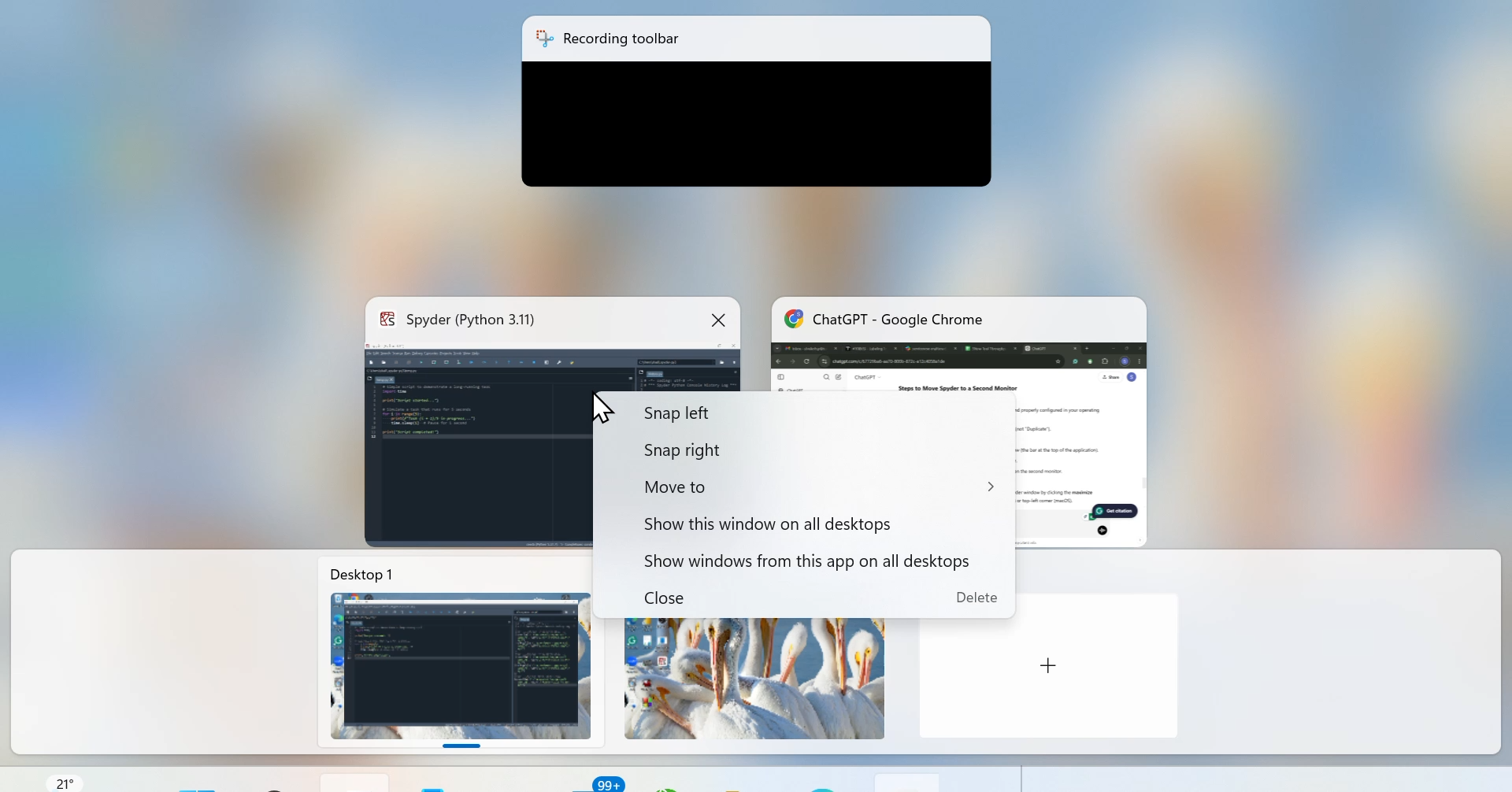 This screenshot has width=1512, height=792. I want to click on Show Windows from this app on all desktop, so click(791, 560).